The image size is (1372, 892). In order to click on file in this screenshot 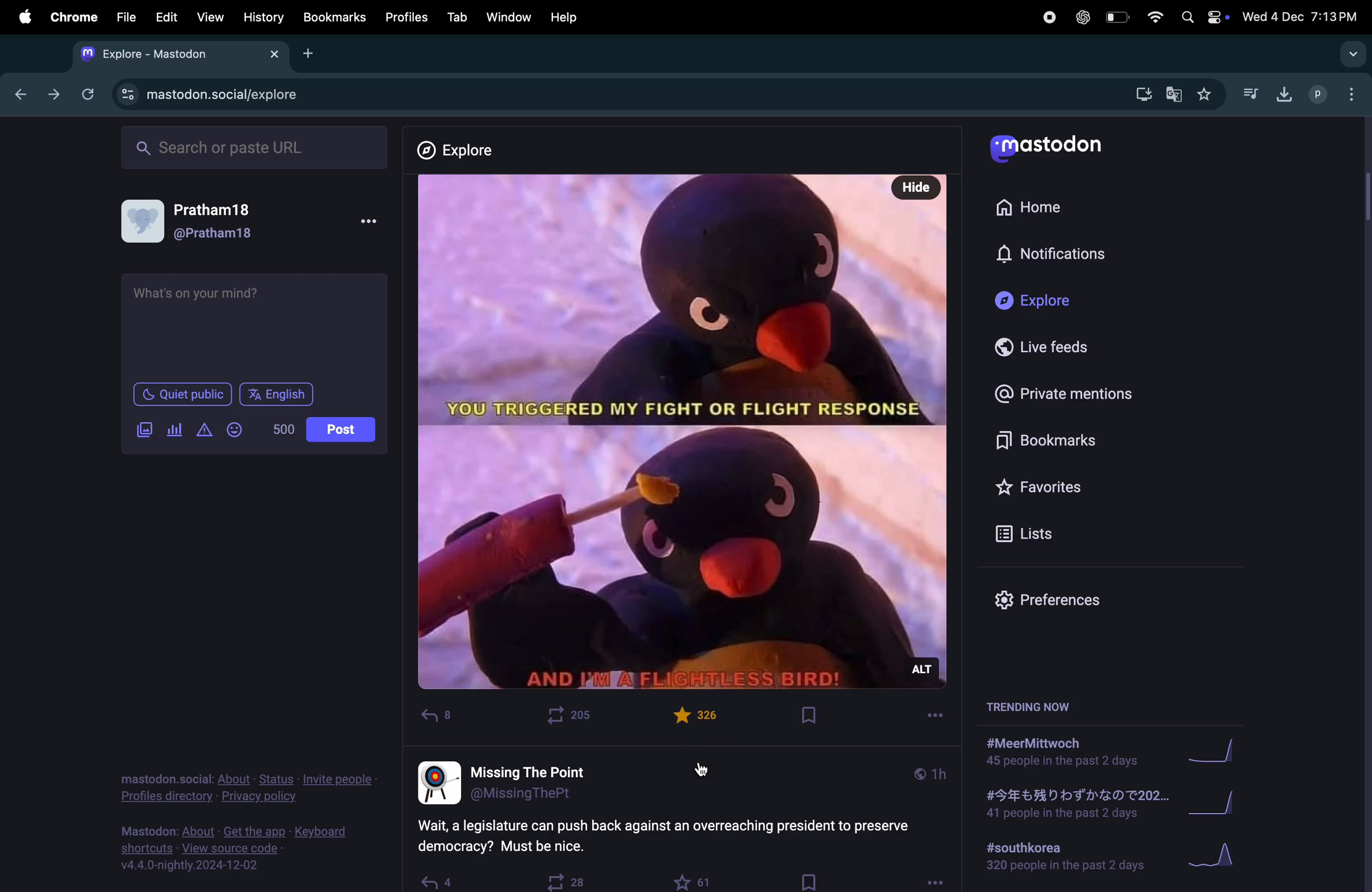, I will do `click(124, 18)`.